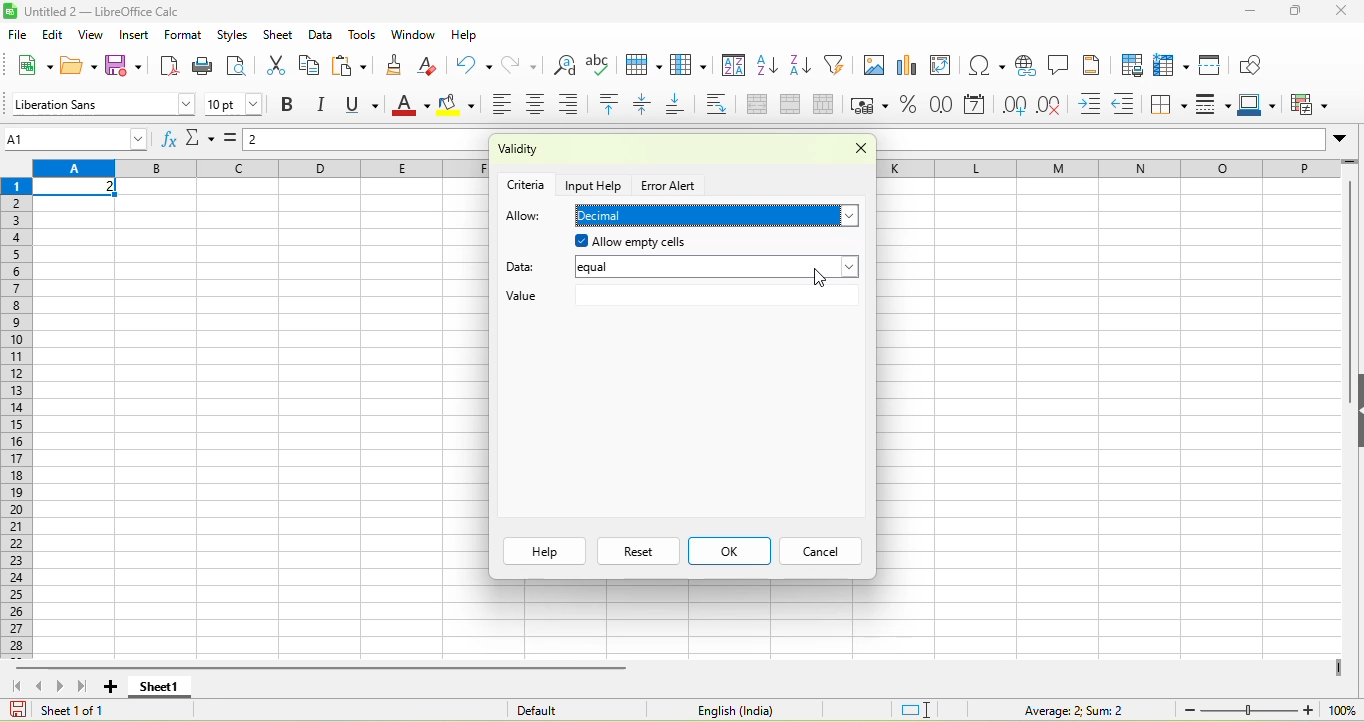 The width and height of the screenshot is (1364, 722). I want to click on input help, so click(596, 184).